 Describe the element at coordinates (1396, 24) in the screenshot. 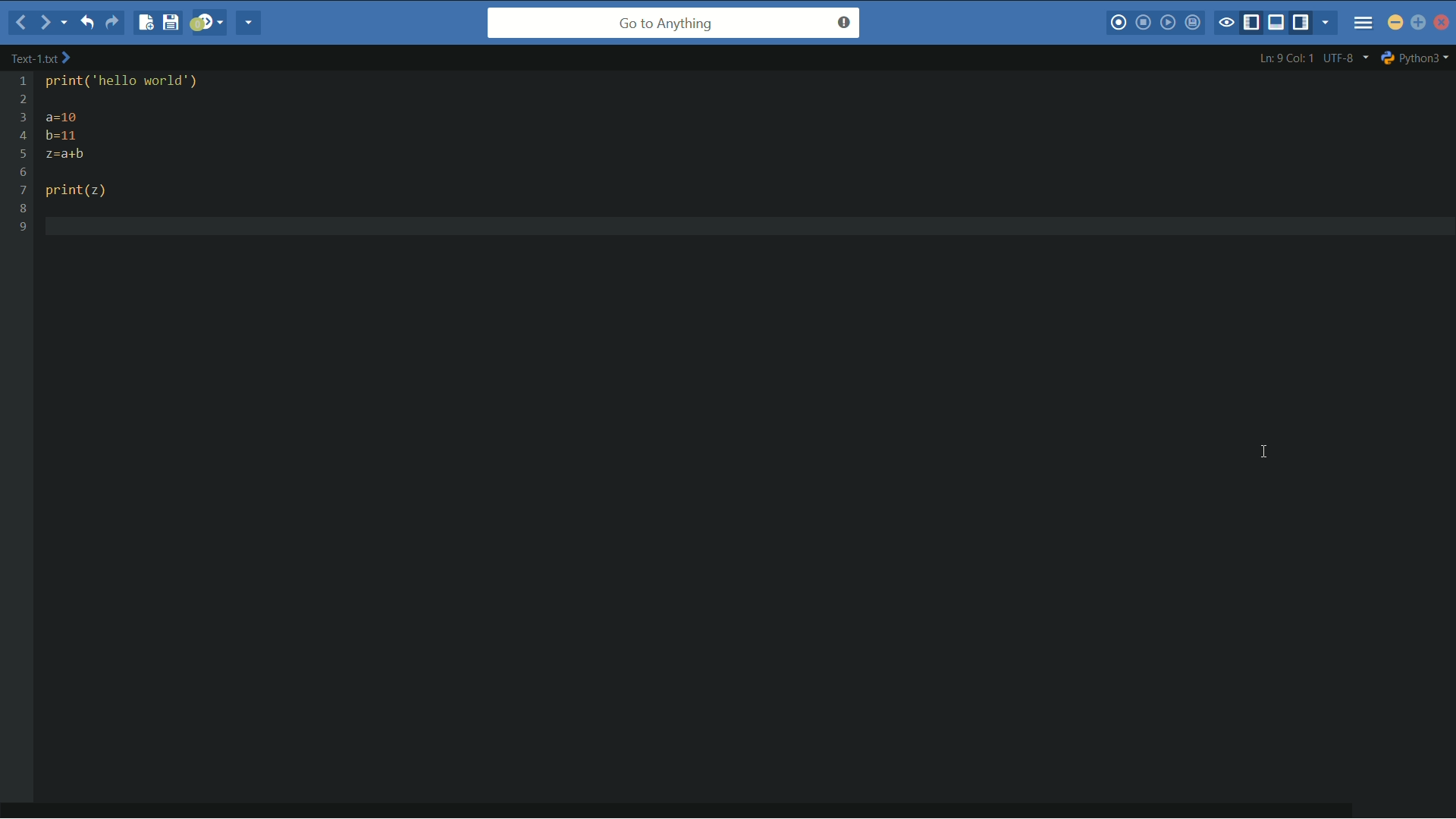

I see `minimize` at that location.